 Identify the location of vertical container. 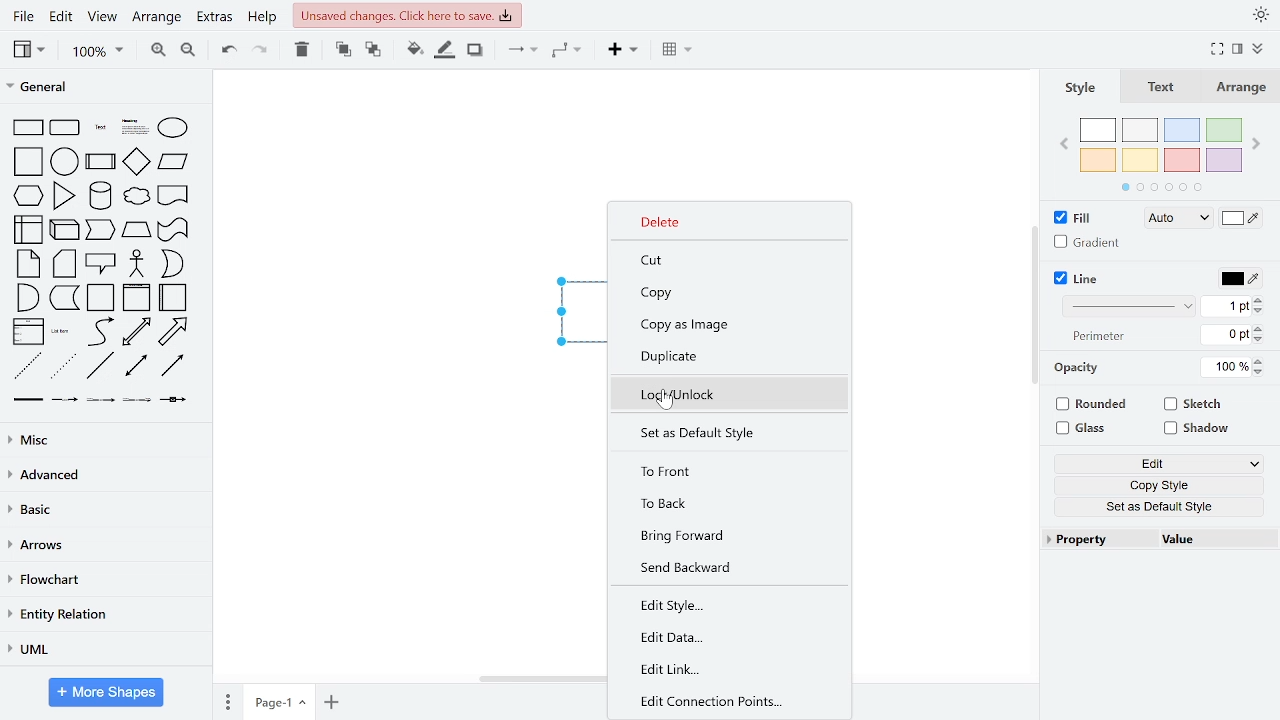
(136, 298).